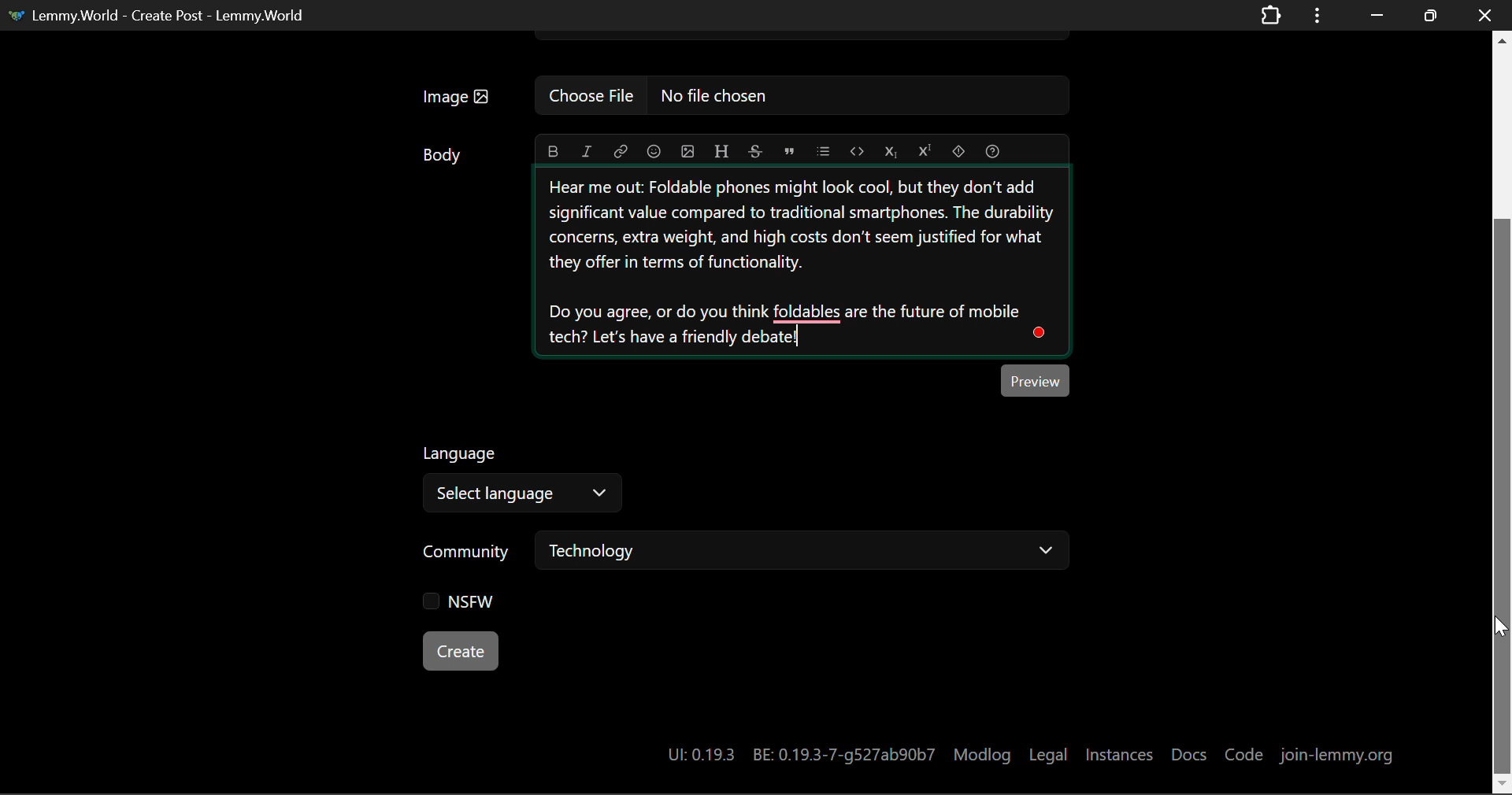 The image size is (1512, 795). Describe the element at coordinates (992, 150) in the screenshot. I see `formatting help` at that location.